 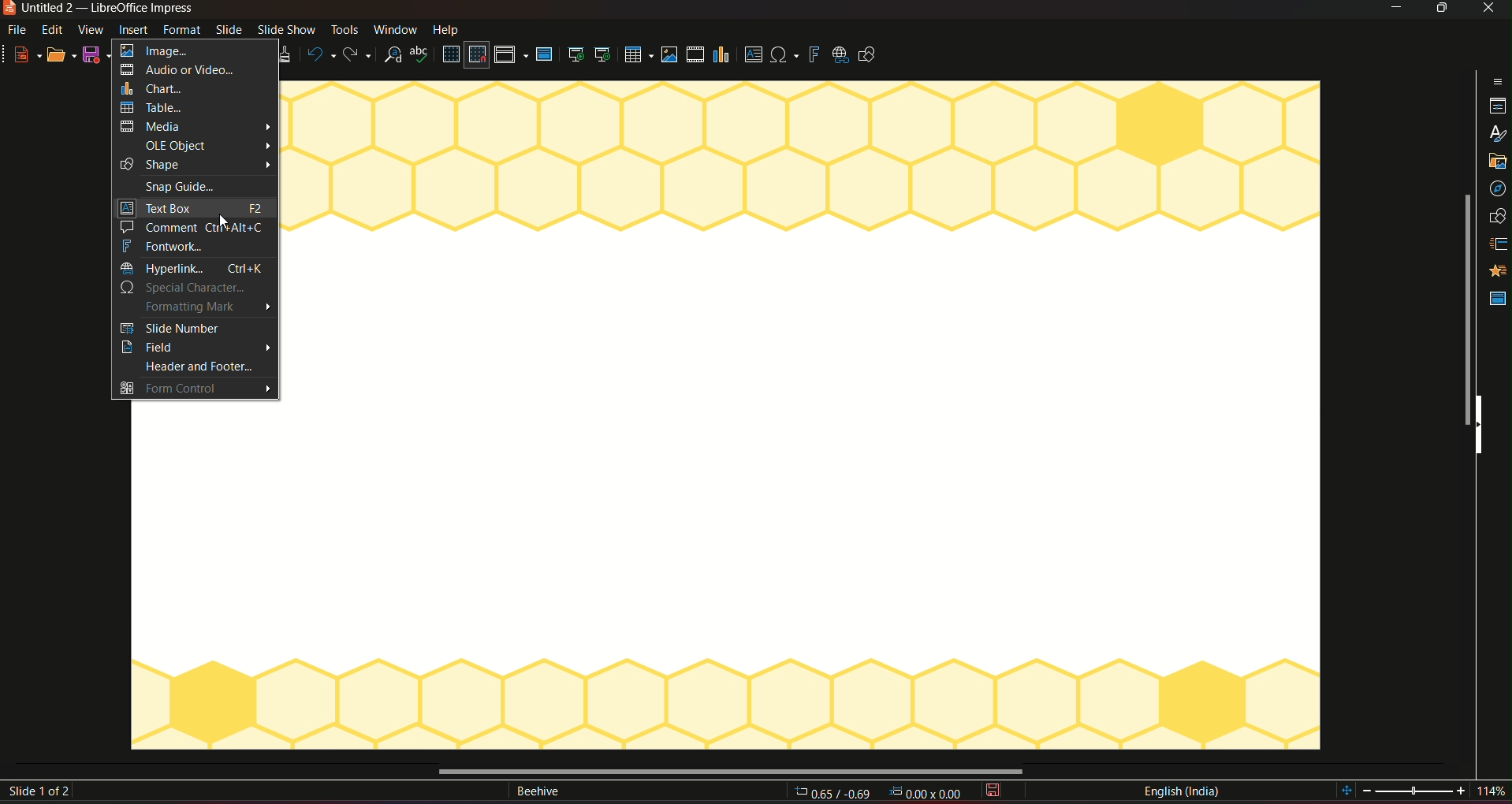 I want to click on master slide, so click(x=547, y=55).